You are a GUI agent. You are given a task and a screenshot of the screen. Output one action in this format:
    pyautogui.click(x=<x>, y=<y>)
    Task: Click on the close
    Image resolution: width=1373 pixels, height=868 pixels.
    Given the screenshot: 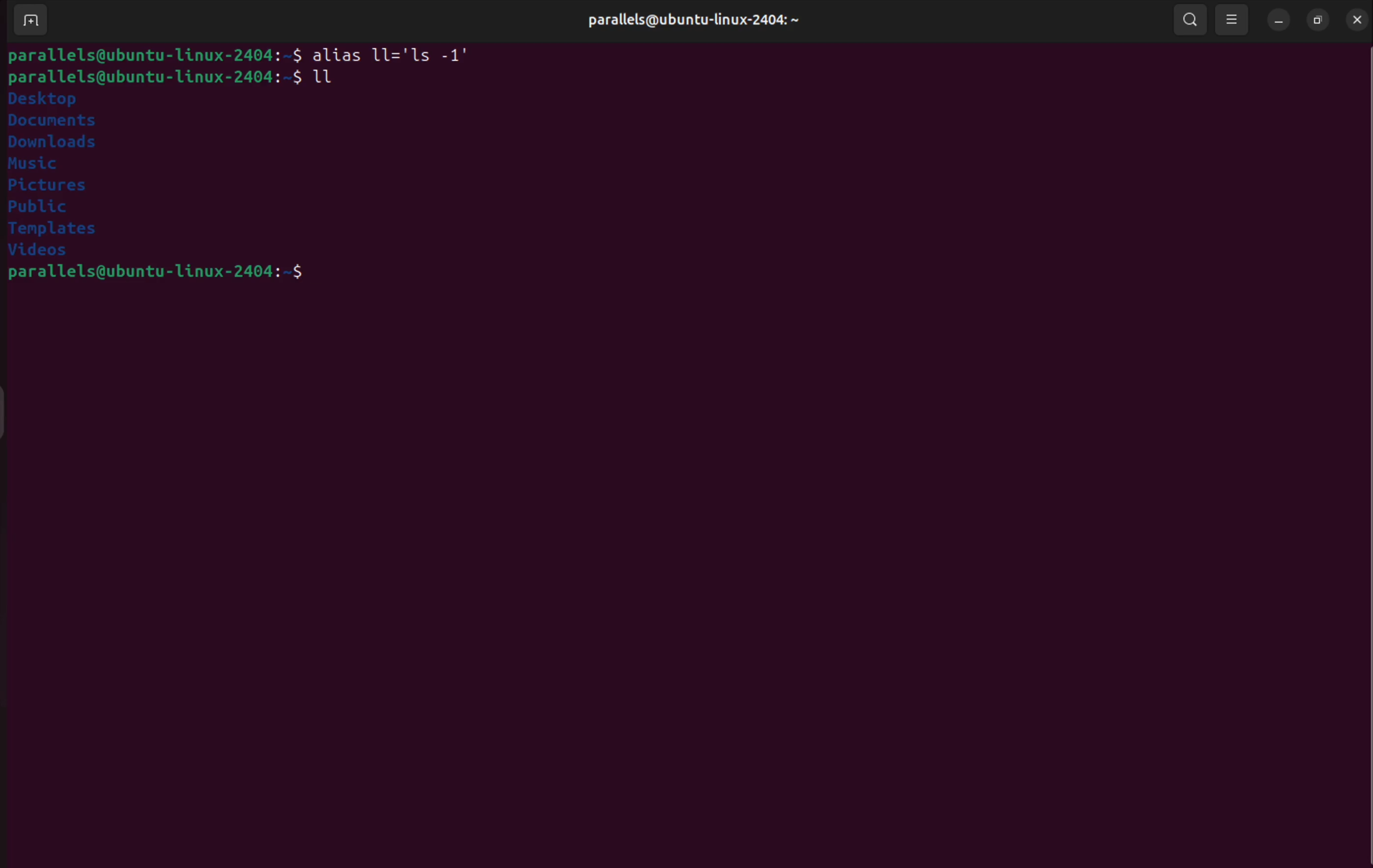 What is the action you would take?
    pyautogui.click(x=1354, y=19)
    